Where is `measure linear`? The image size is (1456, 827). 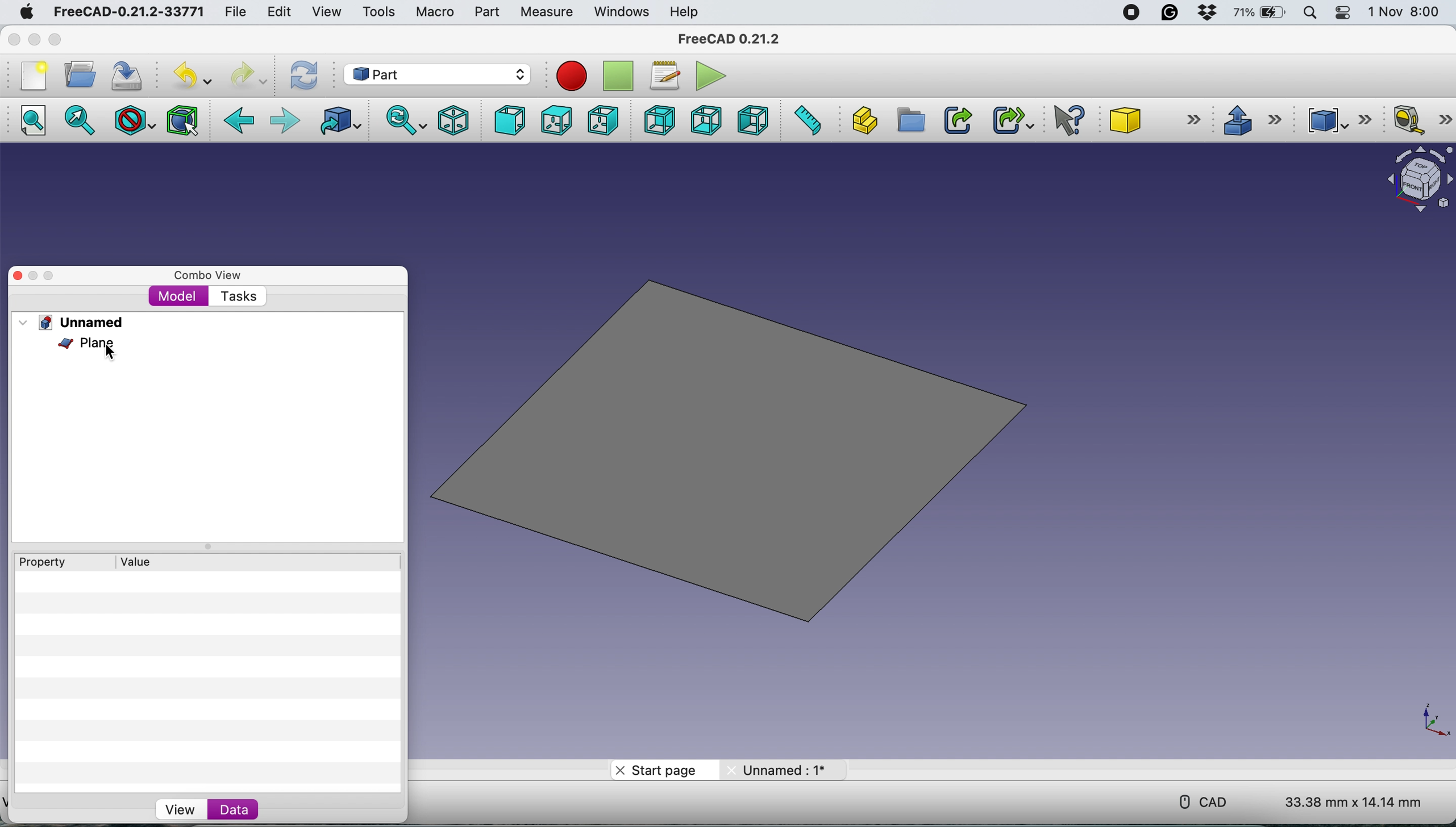
measure linear is located at coordinates (1421, 119).